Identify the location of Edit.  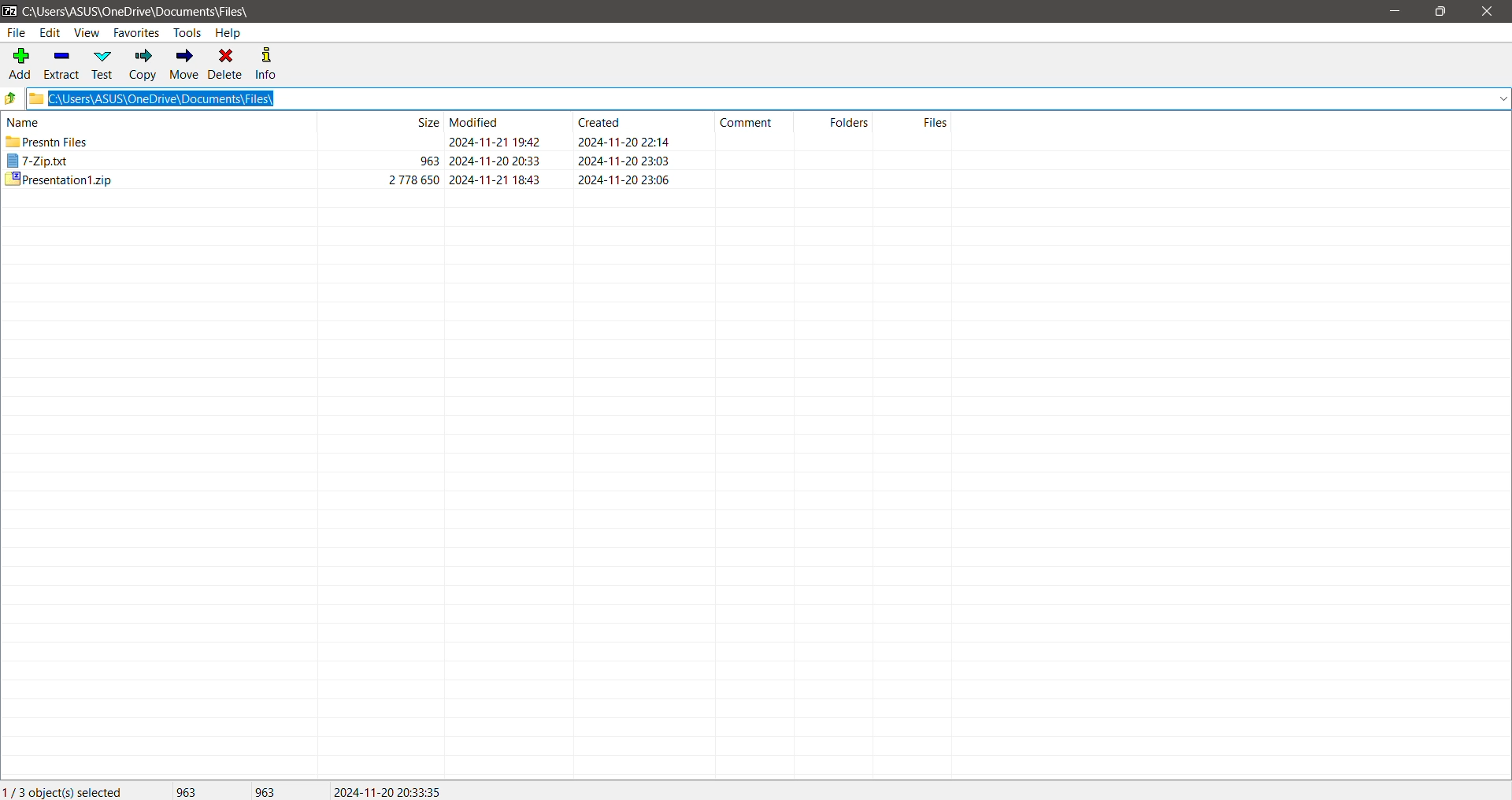
(50, 33).